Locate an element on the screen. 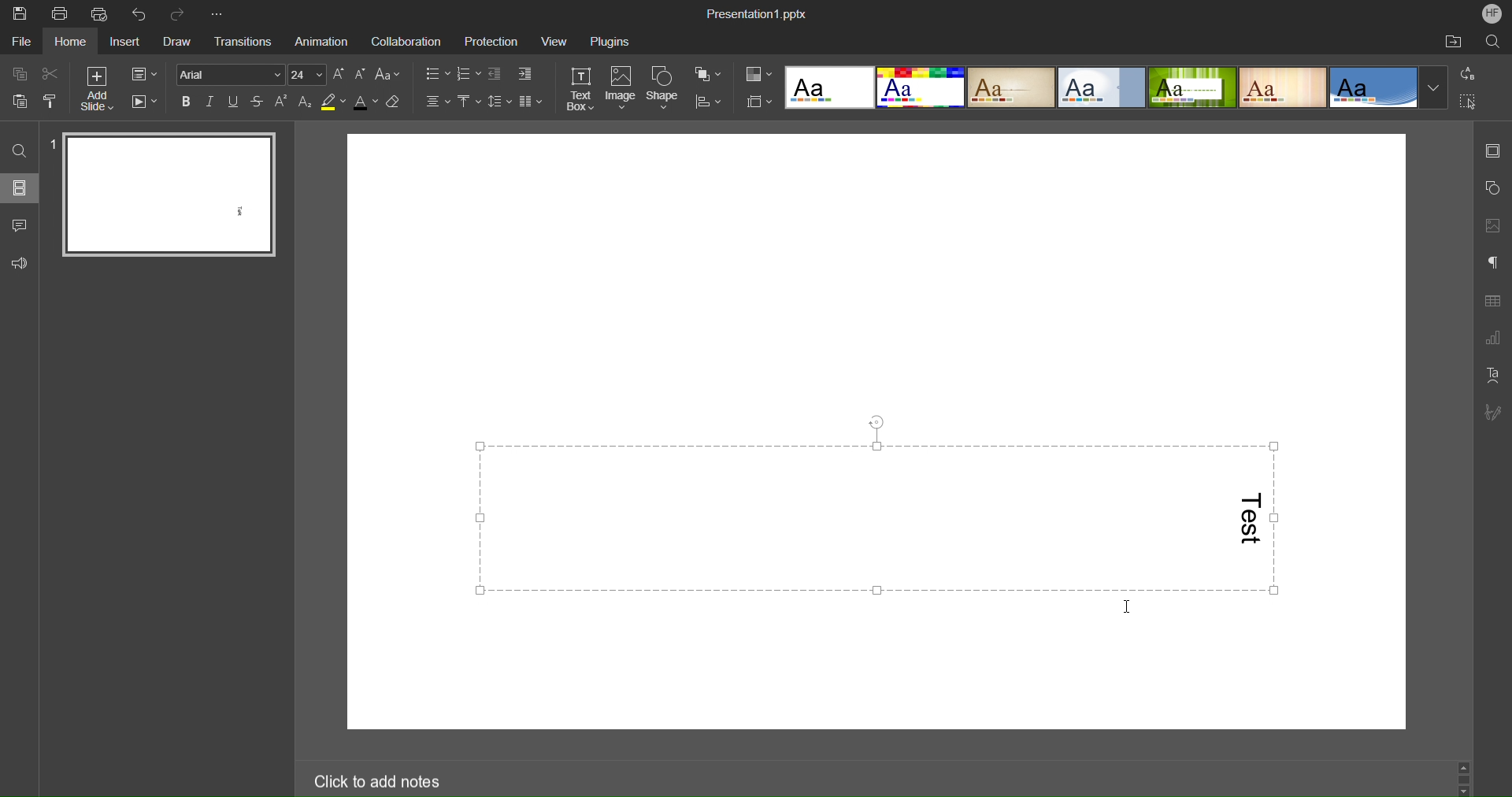  Decrease size is located at coordinates (361, 74).